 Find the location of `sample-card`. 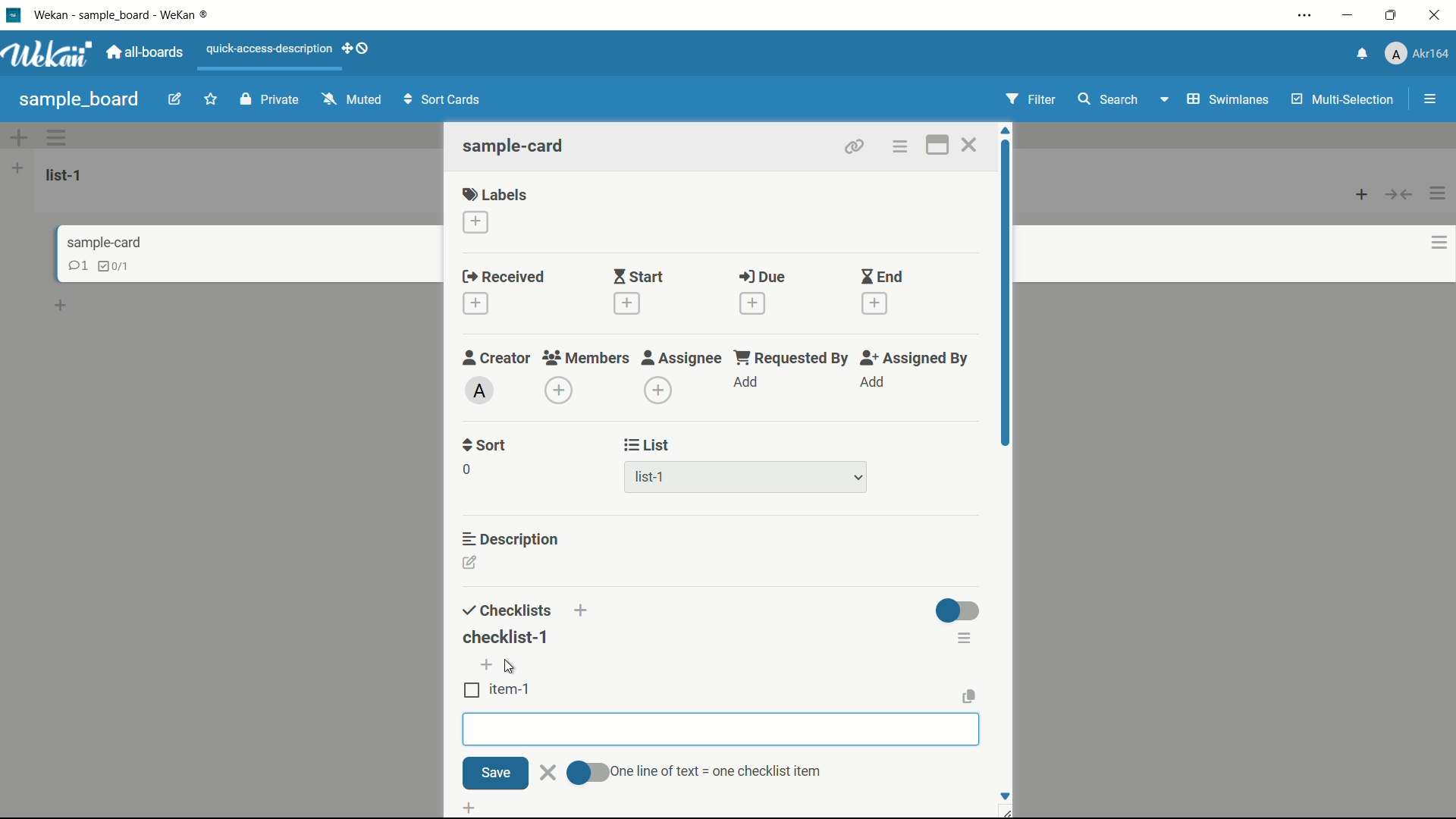

sample-card is located at coordinates (515, 146).